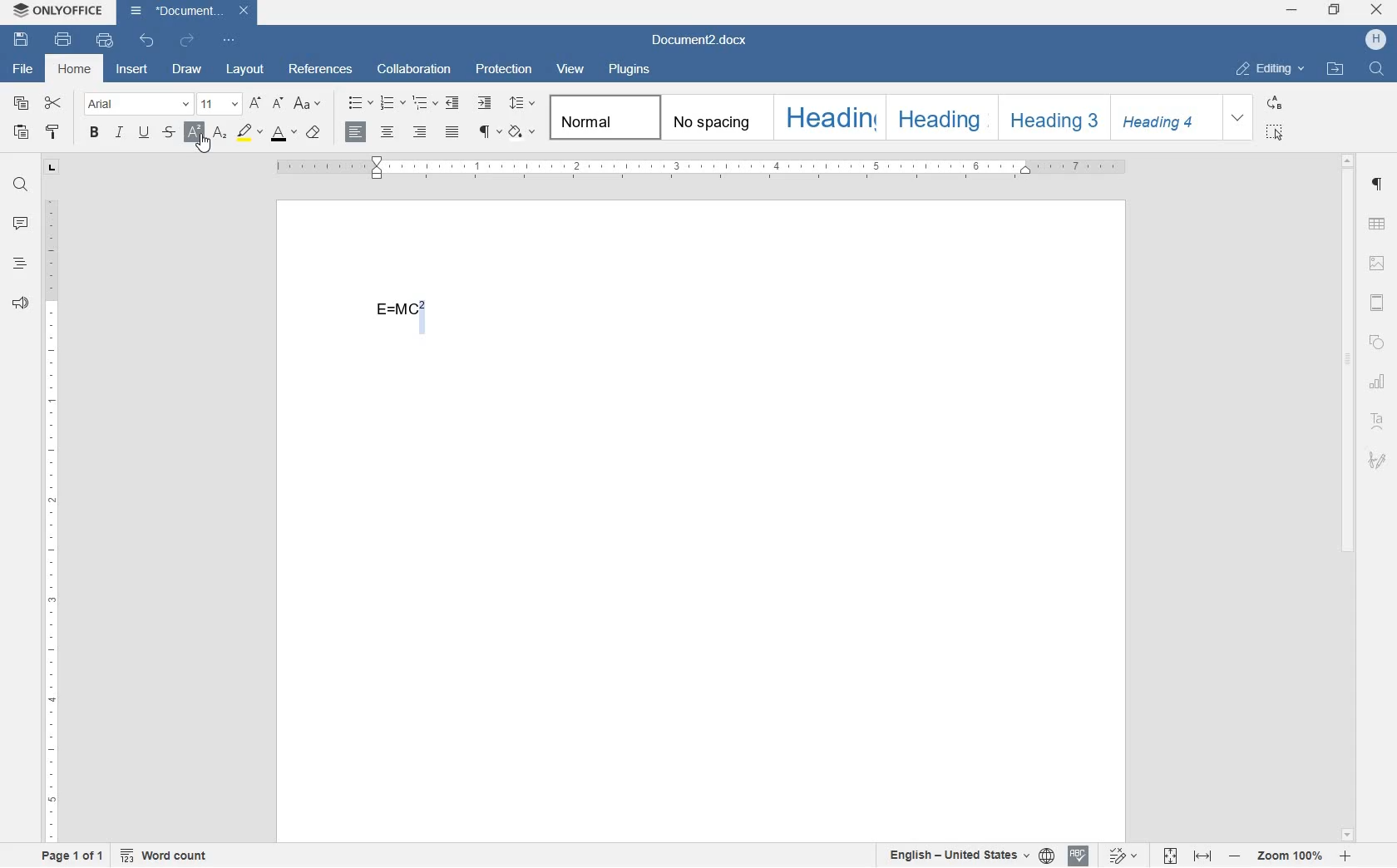 The width and height of the screenshot is (1397, 868). Describe the element at coordinates (827, 116) in the screenshot. I see `Heading 1` at that location.